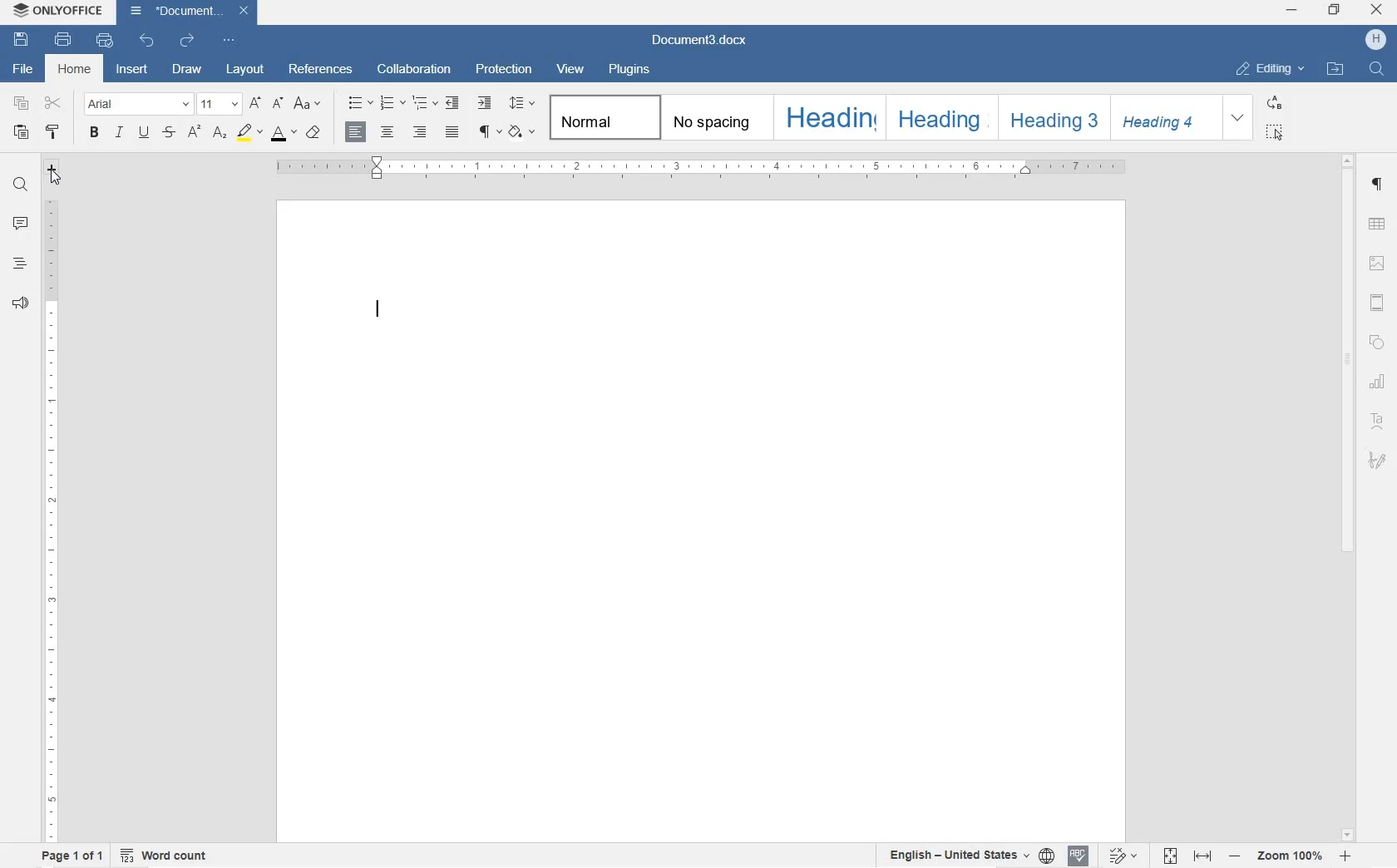 The height and width of the screenshot is (868, 1397). Describe the element at coordinates (1334, 12) in the screenshot. I see `RESTORE` at that location.